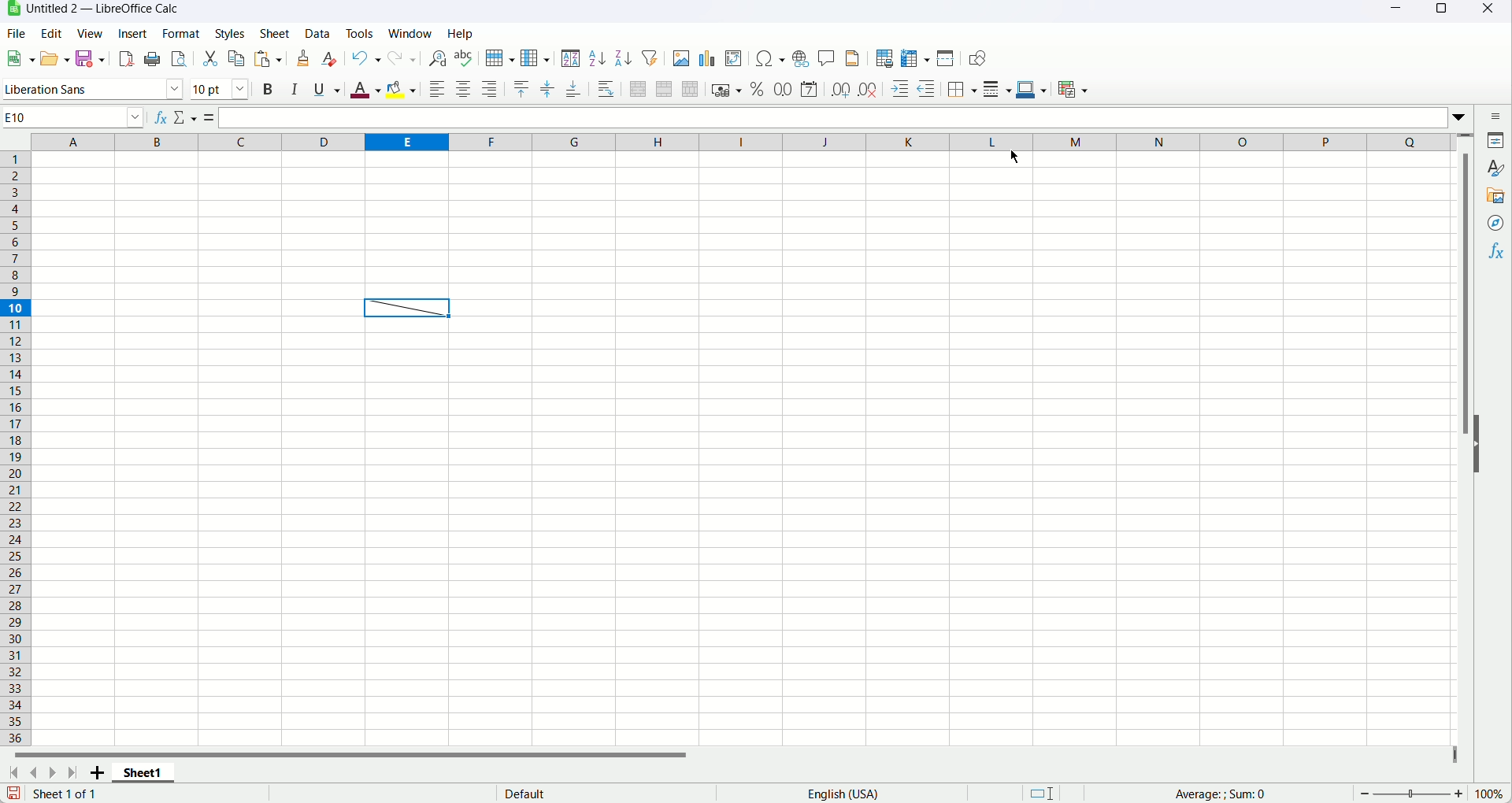  Describe the element at coordinates (606, 88) in the screenshot. I see `Wrap text` at that location.